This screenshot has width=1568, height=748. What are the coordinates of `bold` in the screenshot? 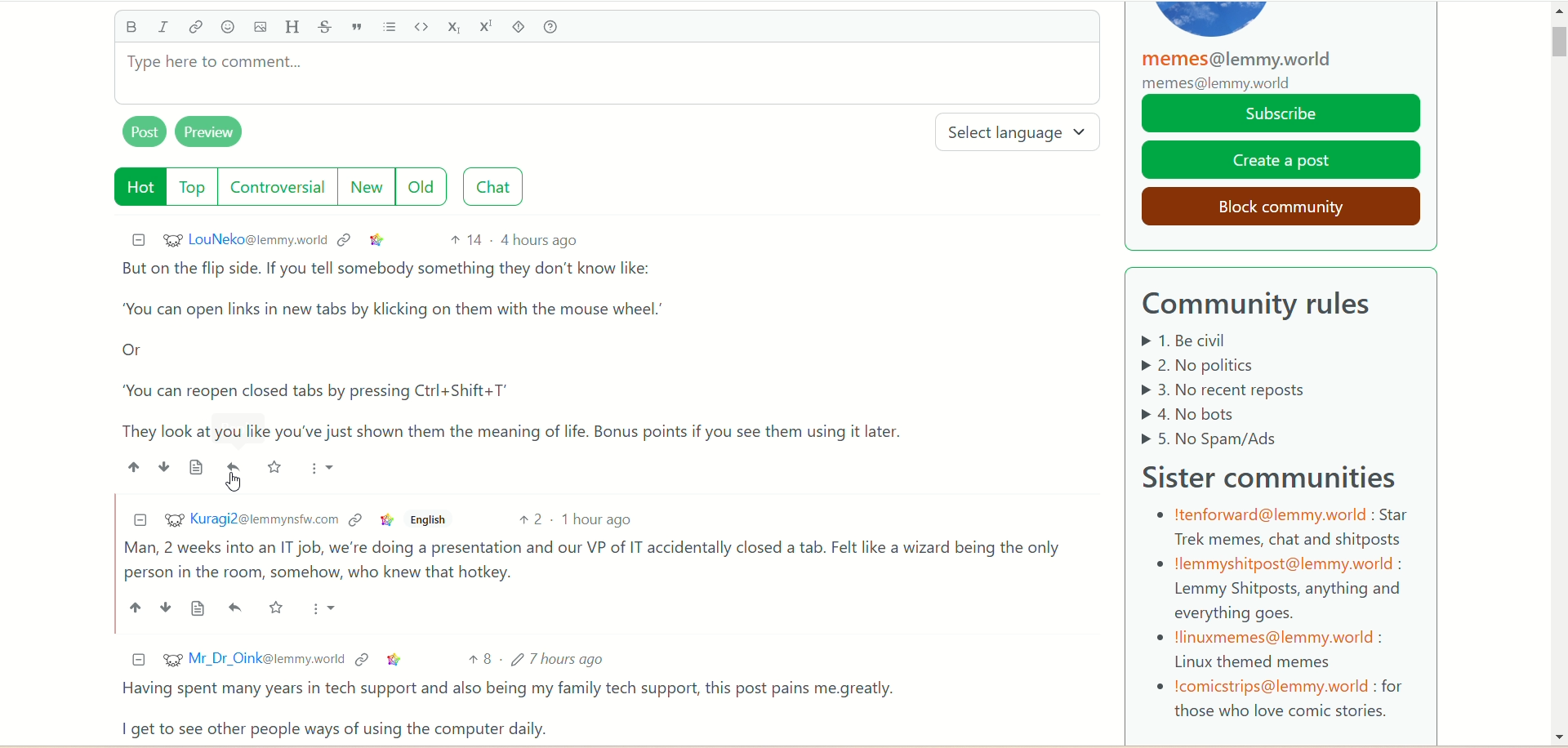 It's located at (130, 29).